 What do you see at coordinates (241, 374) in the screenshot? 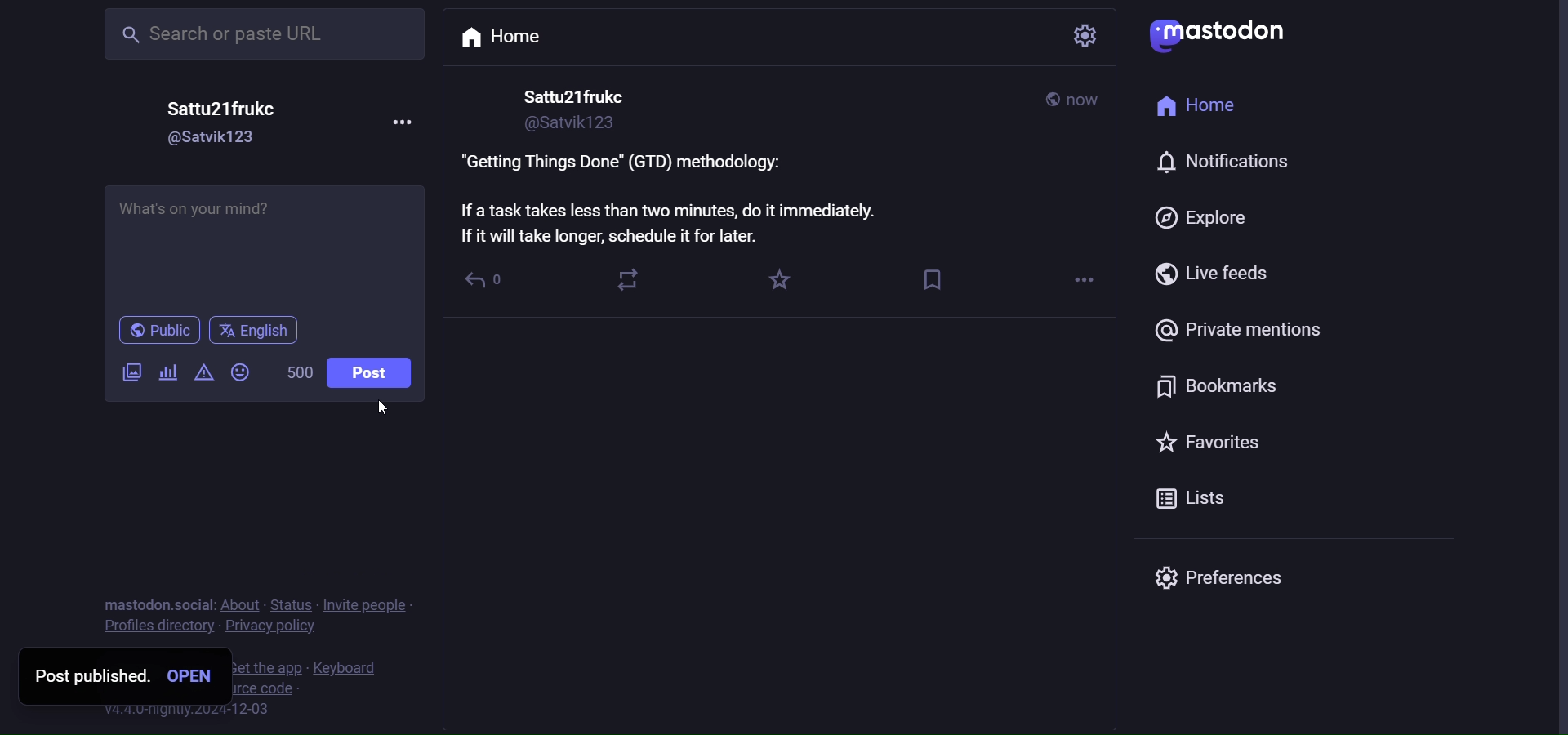
I see `emoji` at bounding box center [241, 374].